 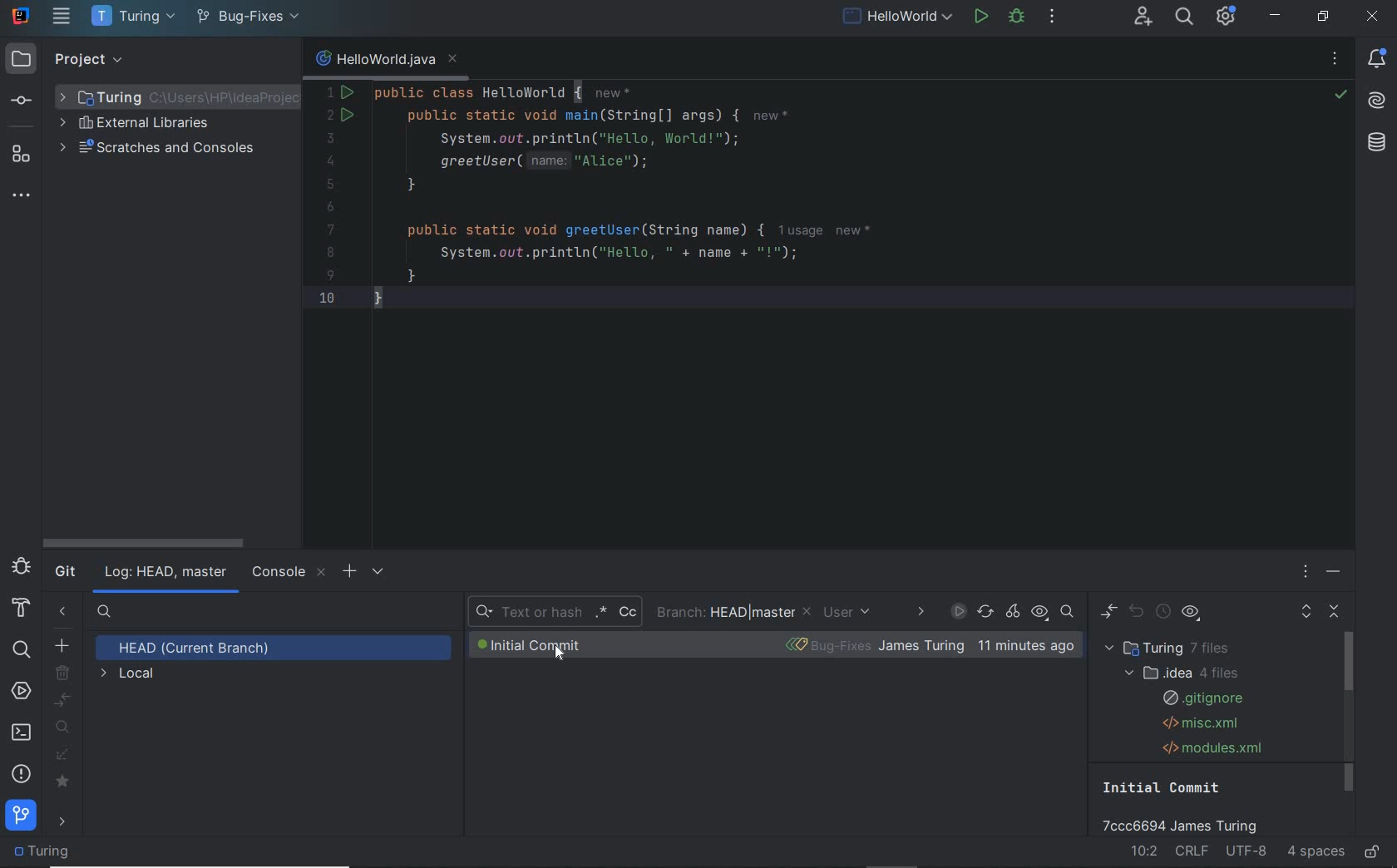 I want to click on AI Assistant, so click(x=1377, y=99).